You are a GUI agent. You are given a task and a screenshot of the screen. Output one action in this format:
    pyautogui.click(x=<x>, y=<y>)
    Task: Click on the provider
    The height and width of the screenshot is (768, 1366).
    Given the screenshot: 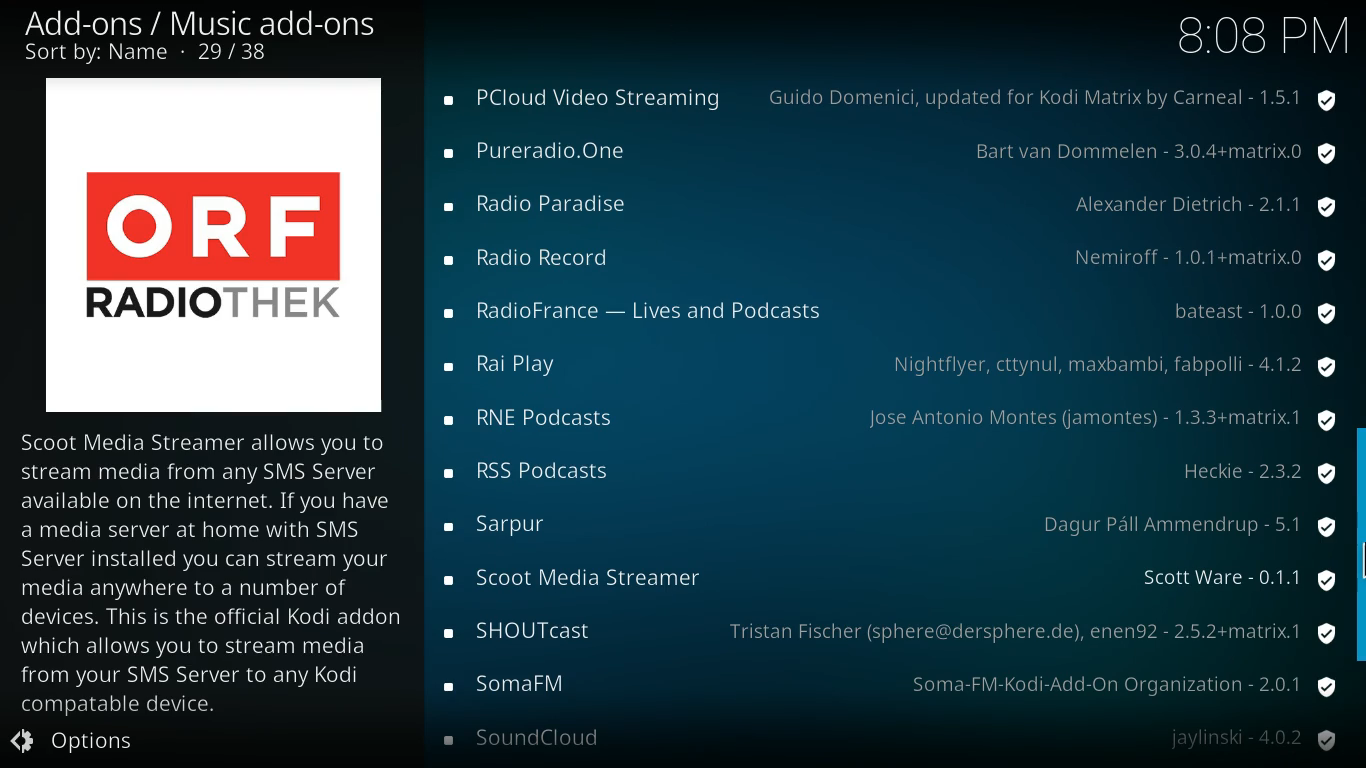 What is the action you would take?
    pyautogui.click(x=1150, y=155)
    